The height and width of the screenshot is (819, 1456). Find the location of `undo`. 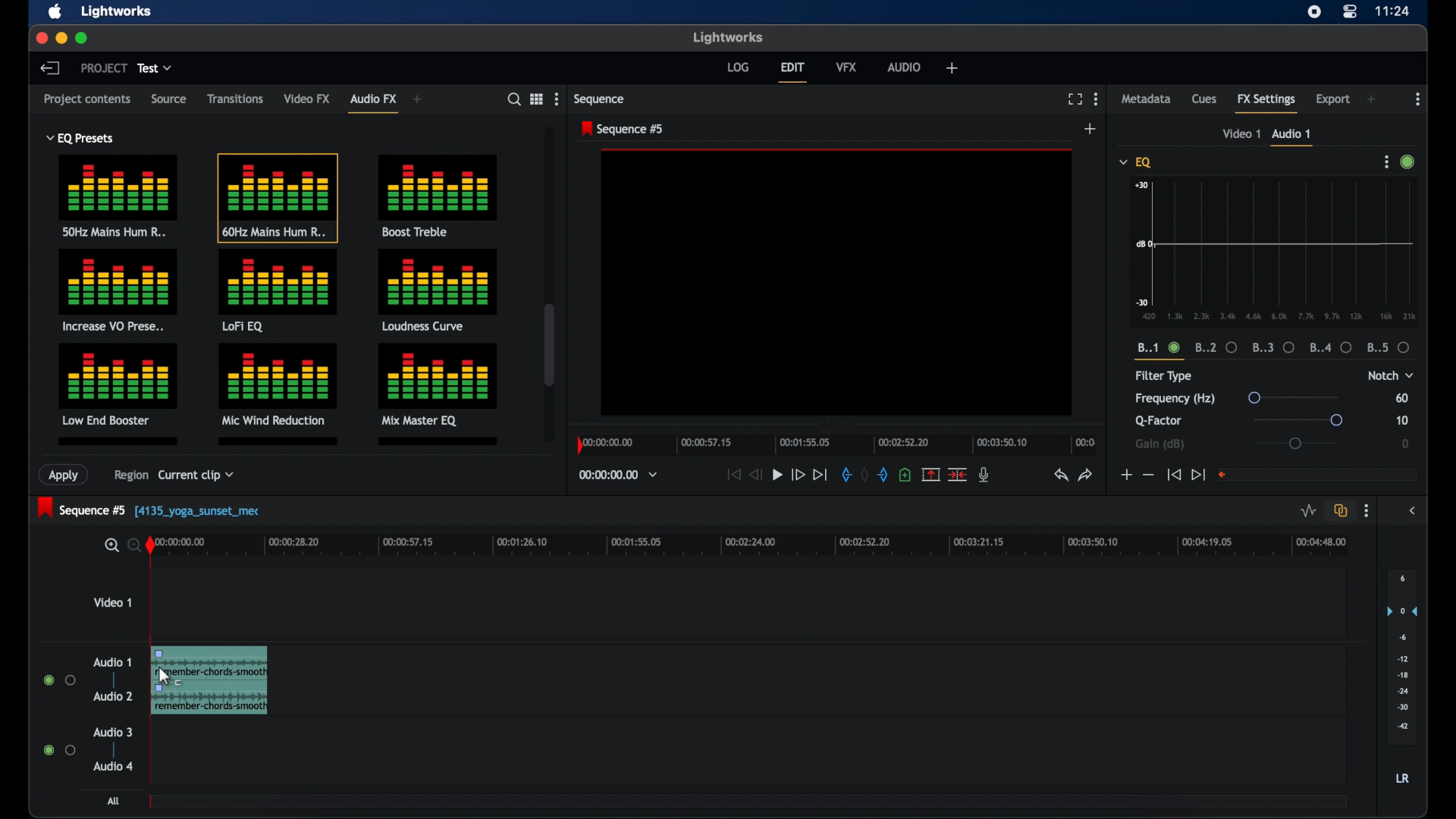

undo is located at coordinates (1059, 475).